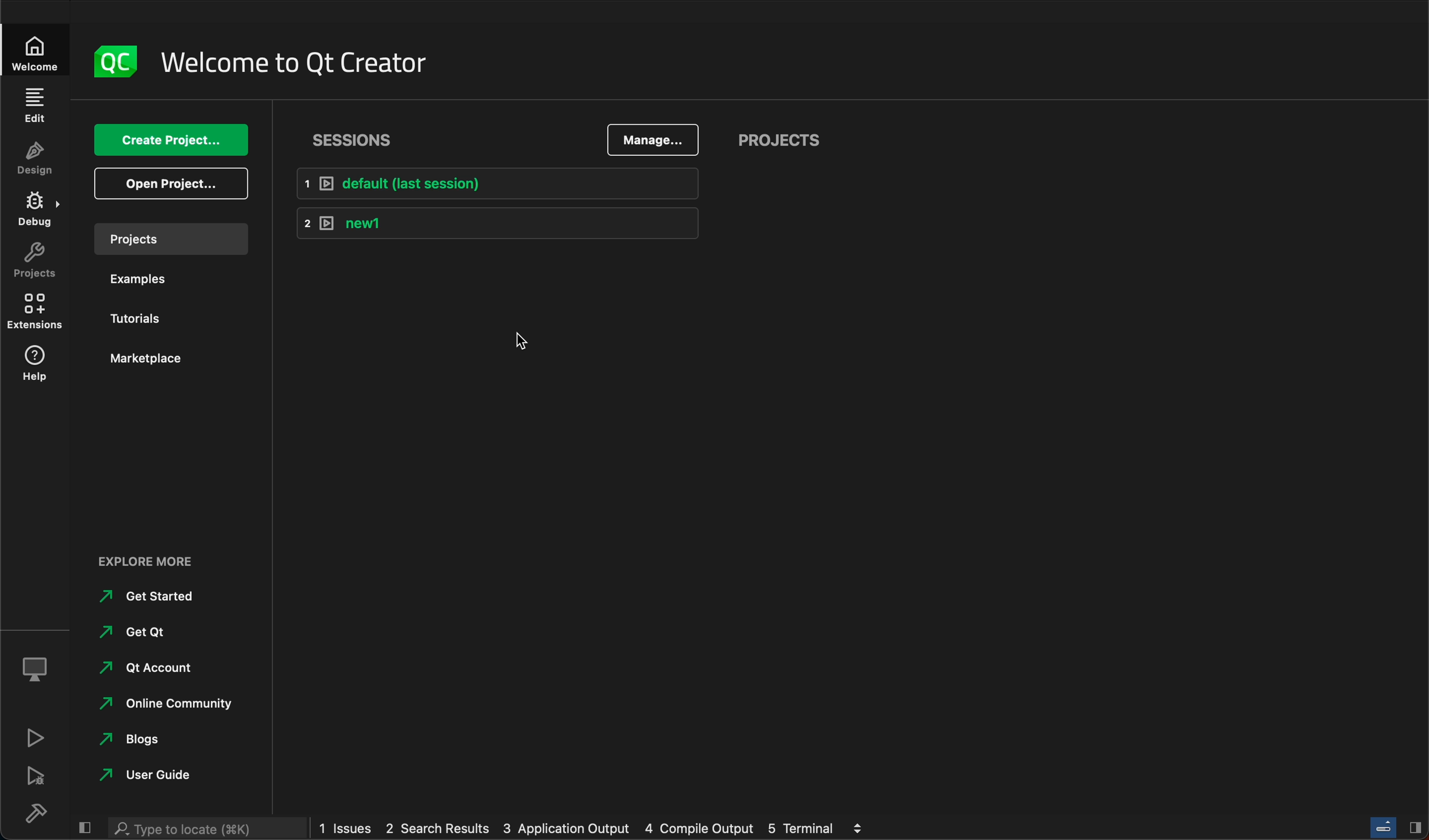 Image resolution: width=1429 pixels, height=840 pixels. Describe the element at coordinates (497, 222) in the screenshot. I see `new1` at that location.